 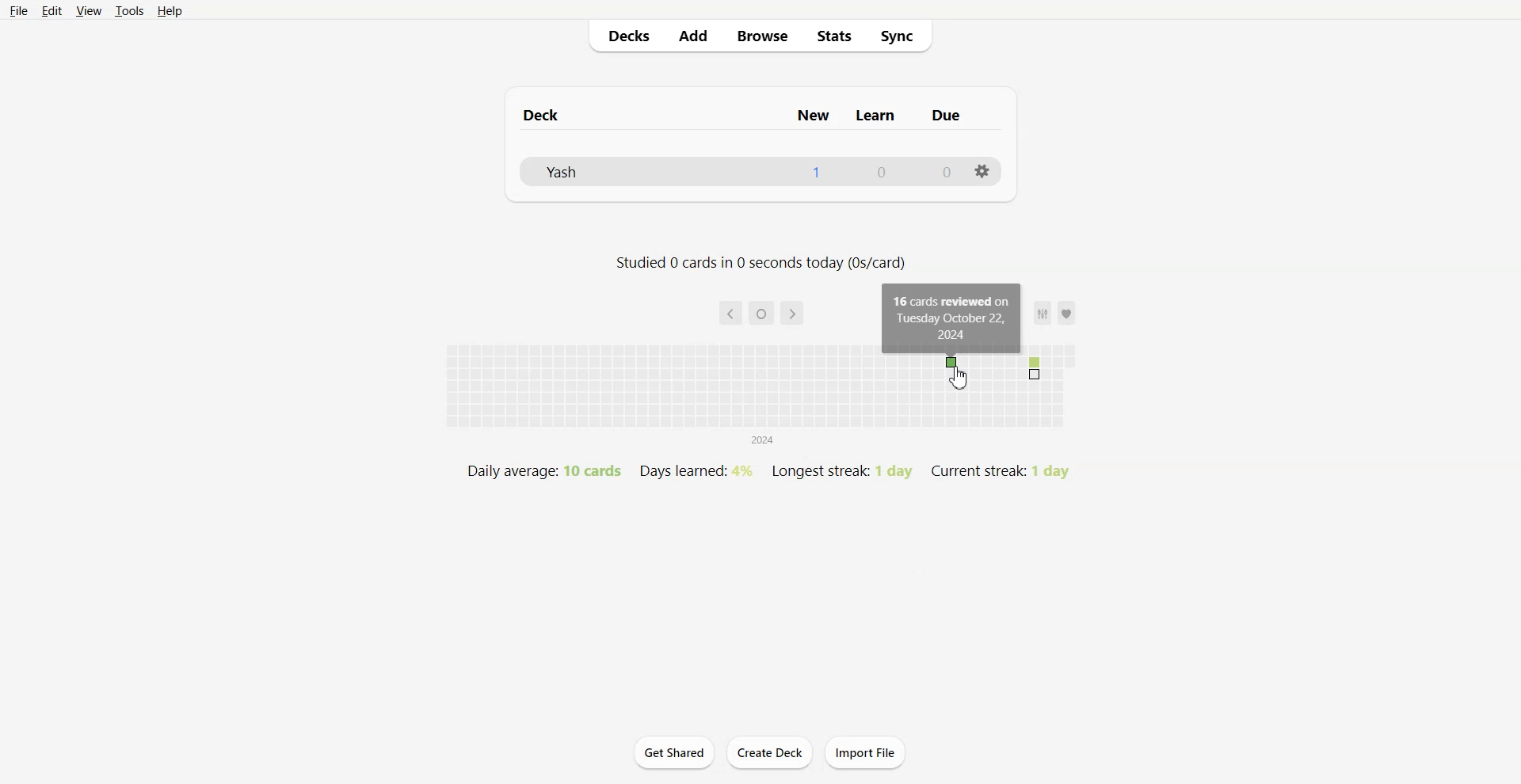 What do you see at coordinates (19, 11) in the screenshot?
I see `File` at bounding box center [19, 11].